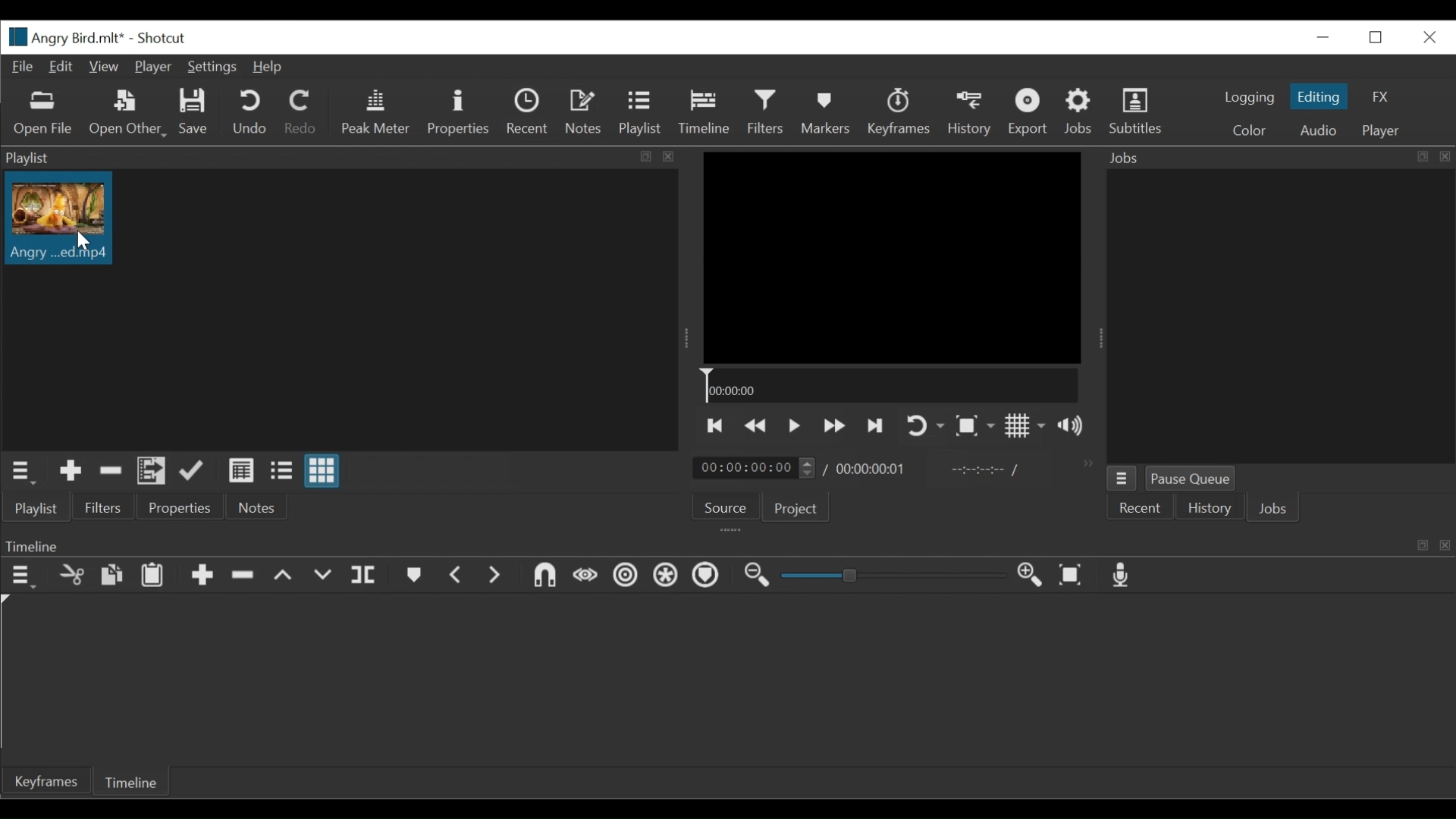 The image size is (1456, 819). I want to click on Total duration, so click(870, 471).